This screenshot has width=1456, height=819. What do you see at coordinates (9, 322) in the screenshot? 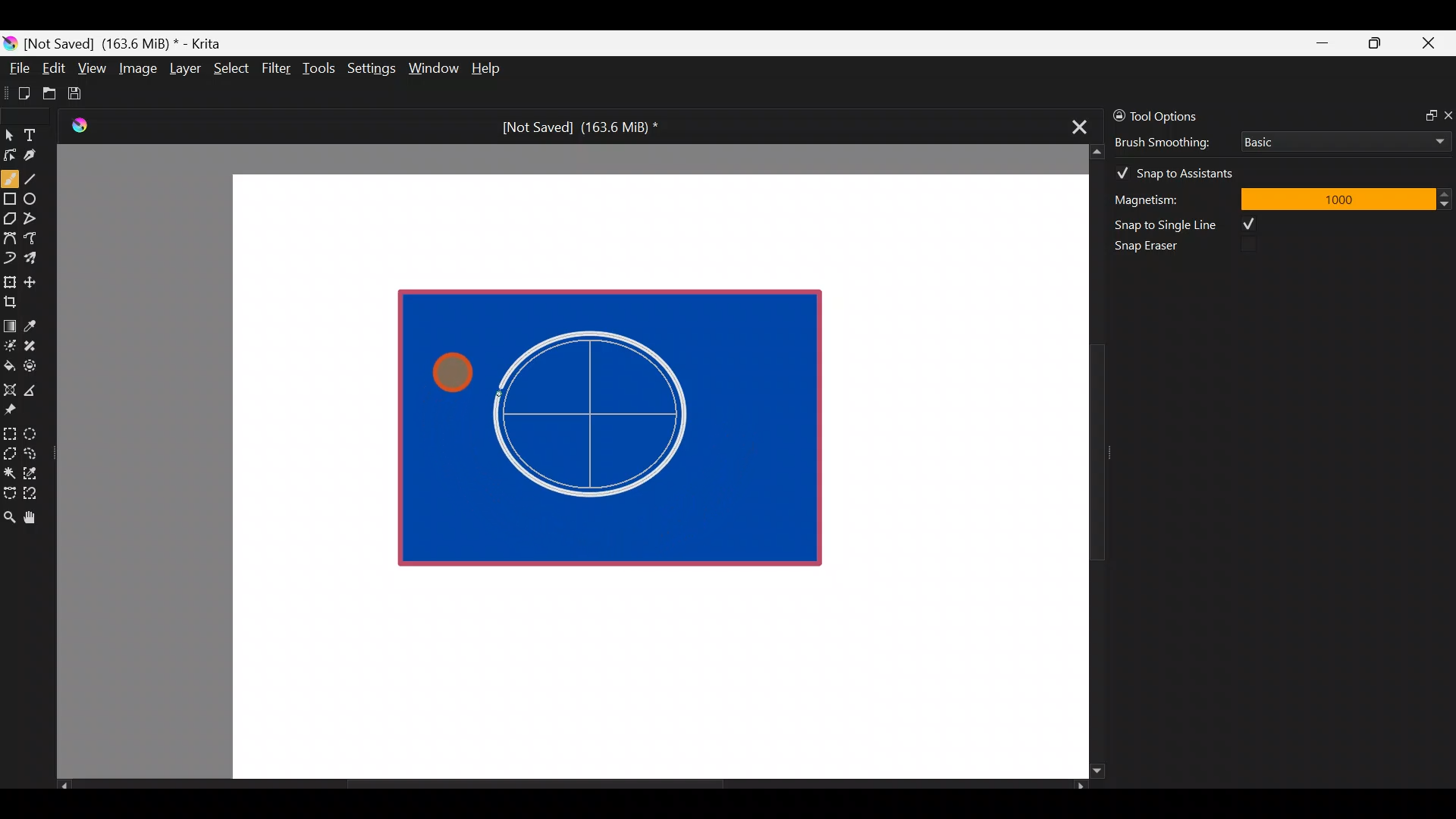
I see `Draw a gradient` at bounding box center [9, 322].